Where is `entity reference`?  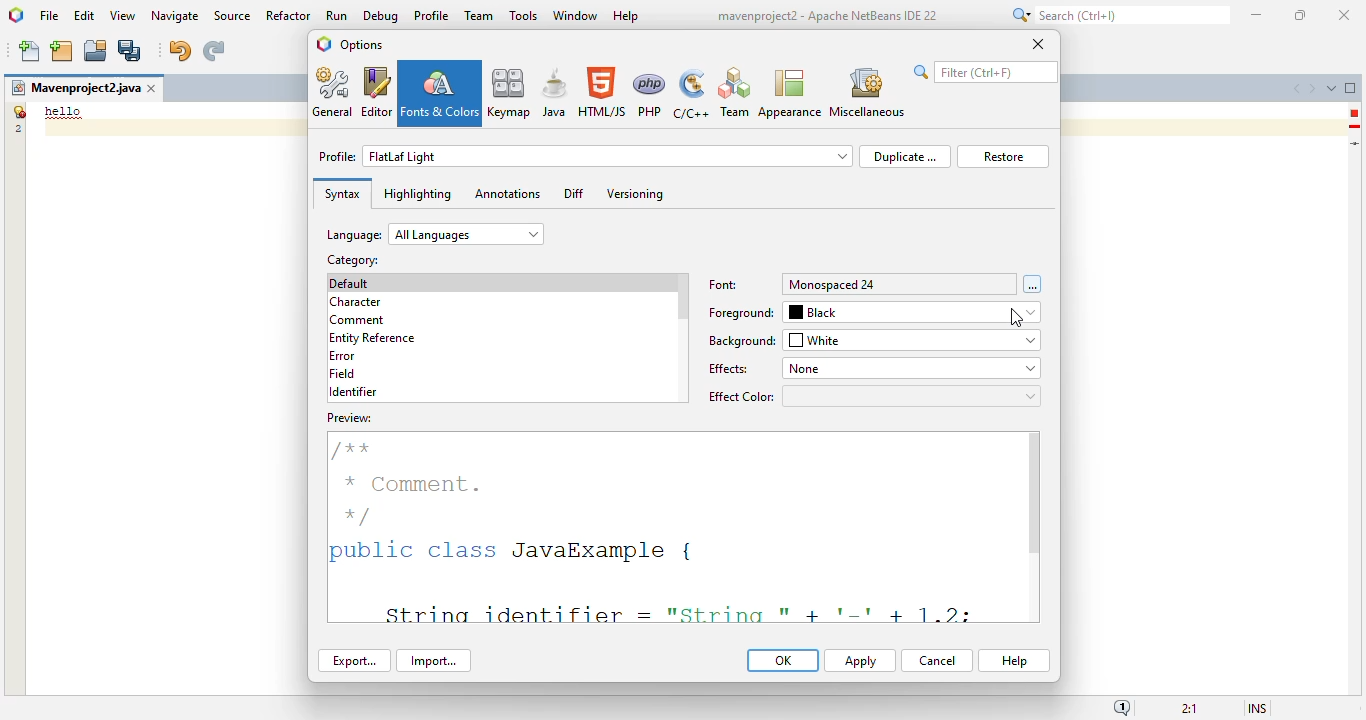 entity reference is located at coordinates (373, 339).